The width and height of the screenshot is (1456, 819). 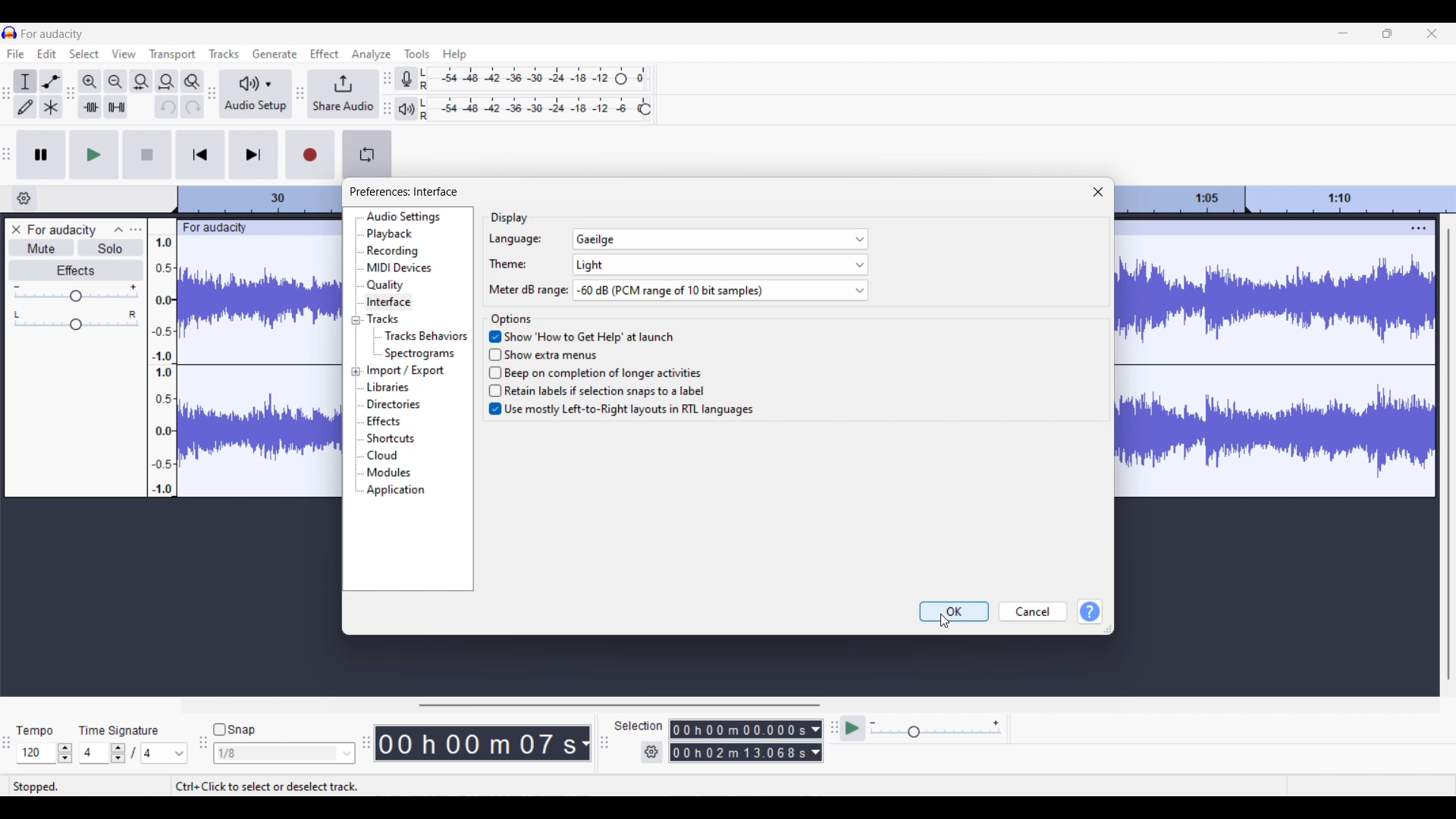 What do you see at coordinates (390, 438) in the screenshot?
I see `Shortcuts` at bounding box center [390, 438].